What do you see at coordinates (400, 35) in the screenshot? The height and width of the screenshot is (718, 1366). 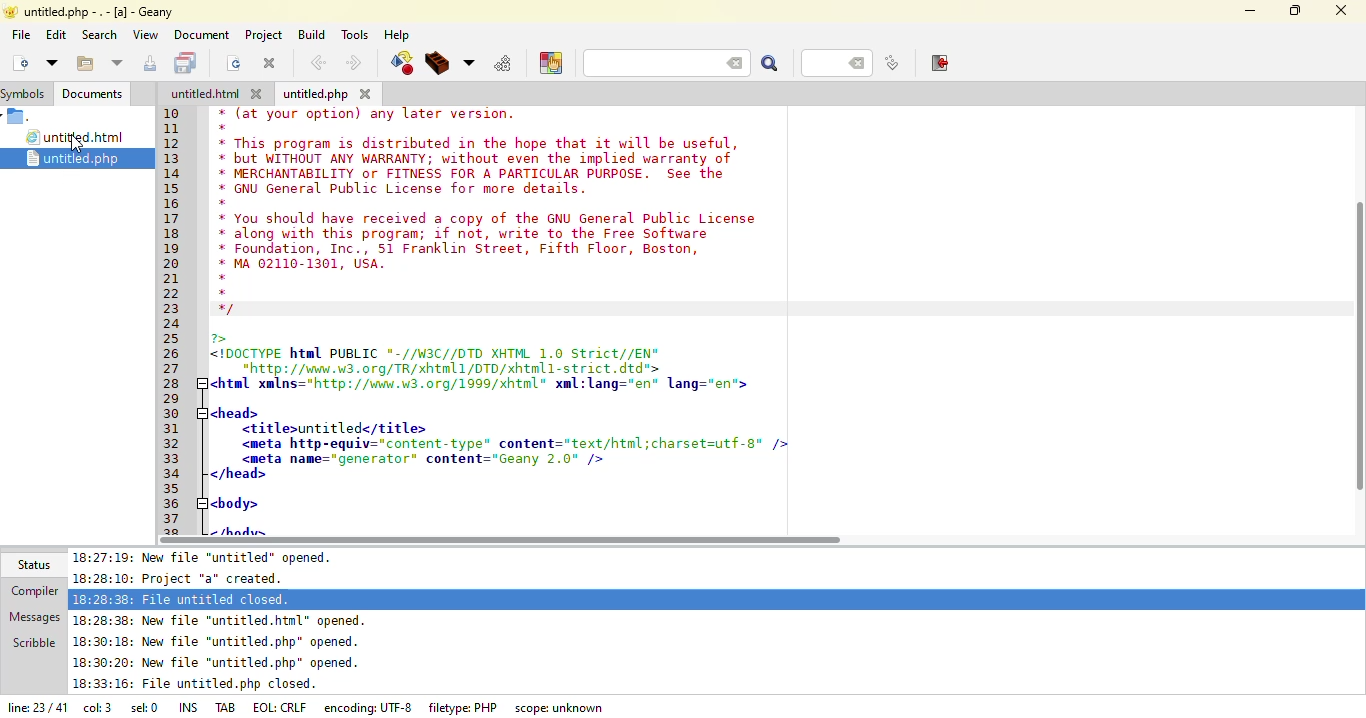 I see `help` at bounding box center [400, 35].